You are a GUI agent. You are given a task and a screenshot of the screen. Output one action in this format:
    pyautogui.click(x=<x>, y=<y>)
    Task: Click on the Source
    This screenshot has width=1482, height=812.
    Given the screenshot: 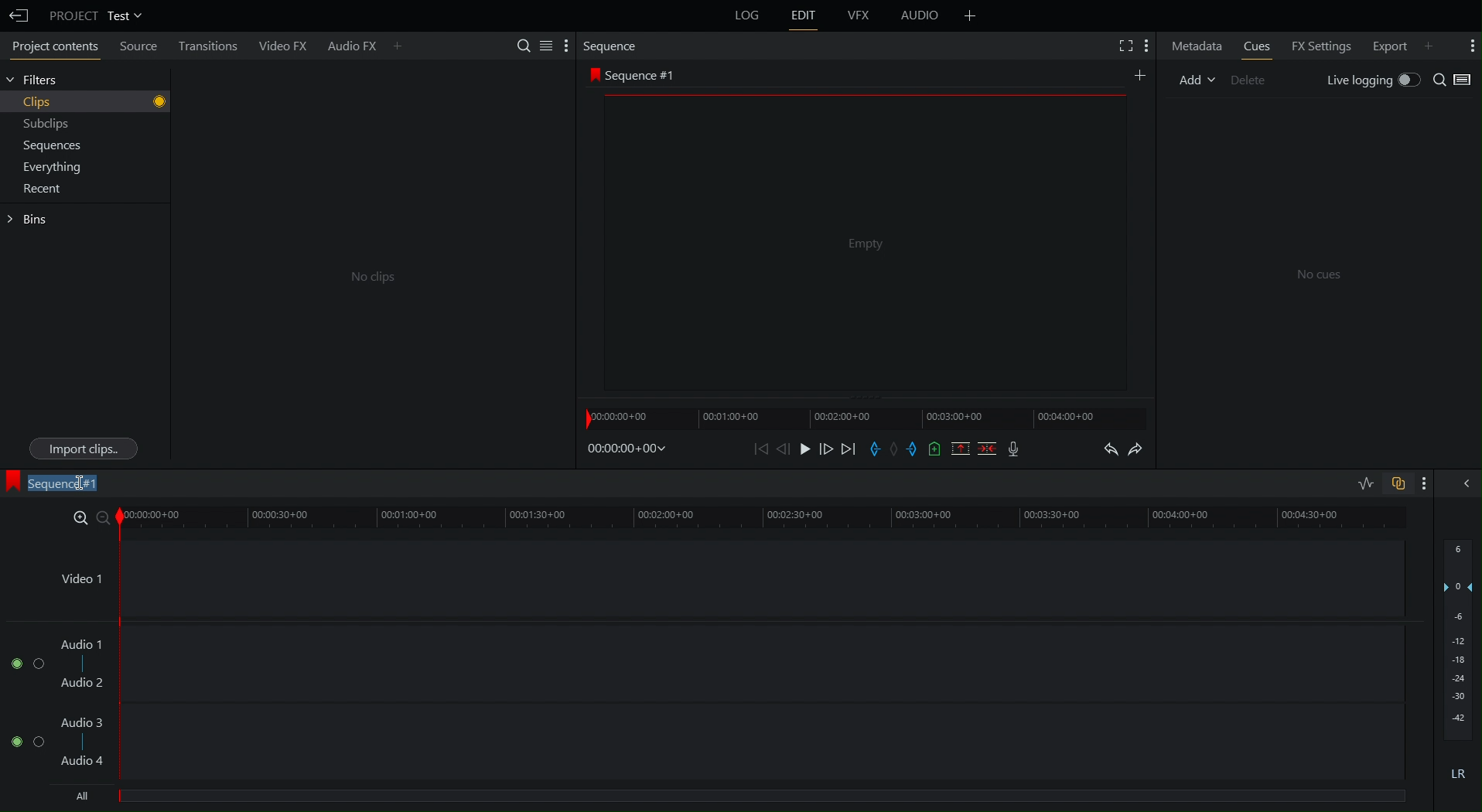 What is the action you would take?
    pyautogui.click(x=139, y=47)
    